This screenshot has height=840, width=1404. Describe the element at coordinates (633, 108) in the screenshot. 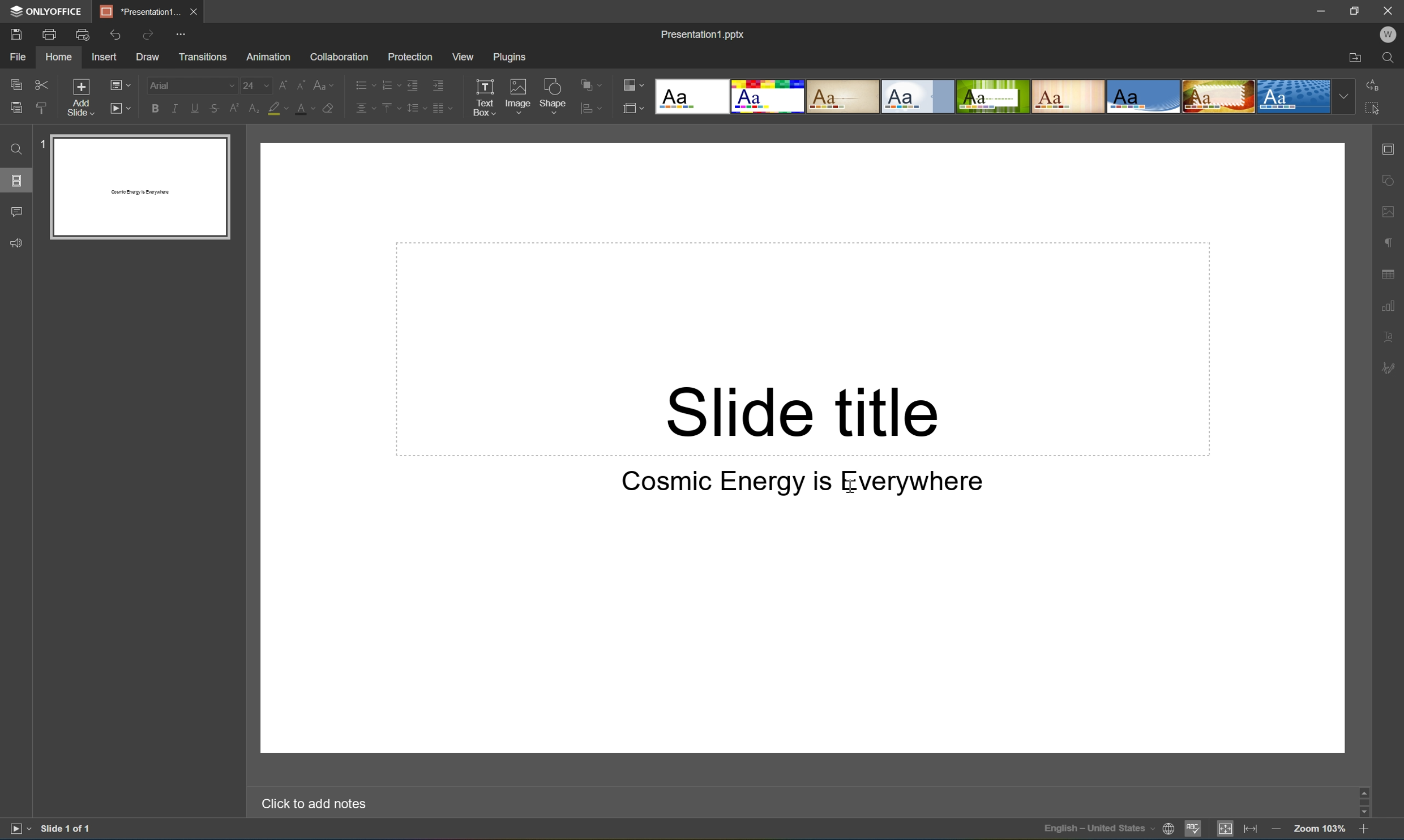

I see `Select slide layout` at that location.